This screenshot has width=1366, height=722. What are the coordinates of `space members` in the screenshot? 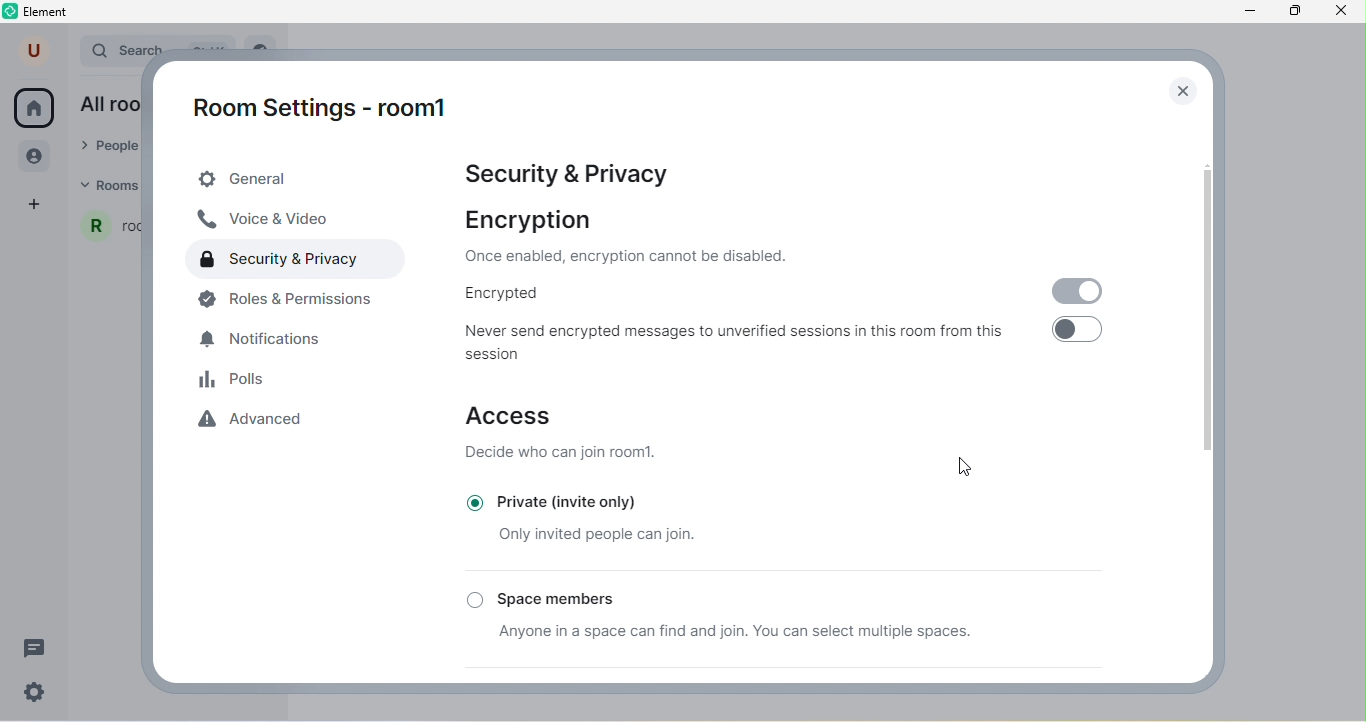 It's located at (609, 596).